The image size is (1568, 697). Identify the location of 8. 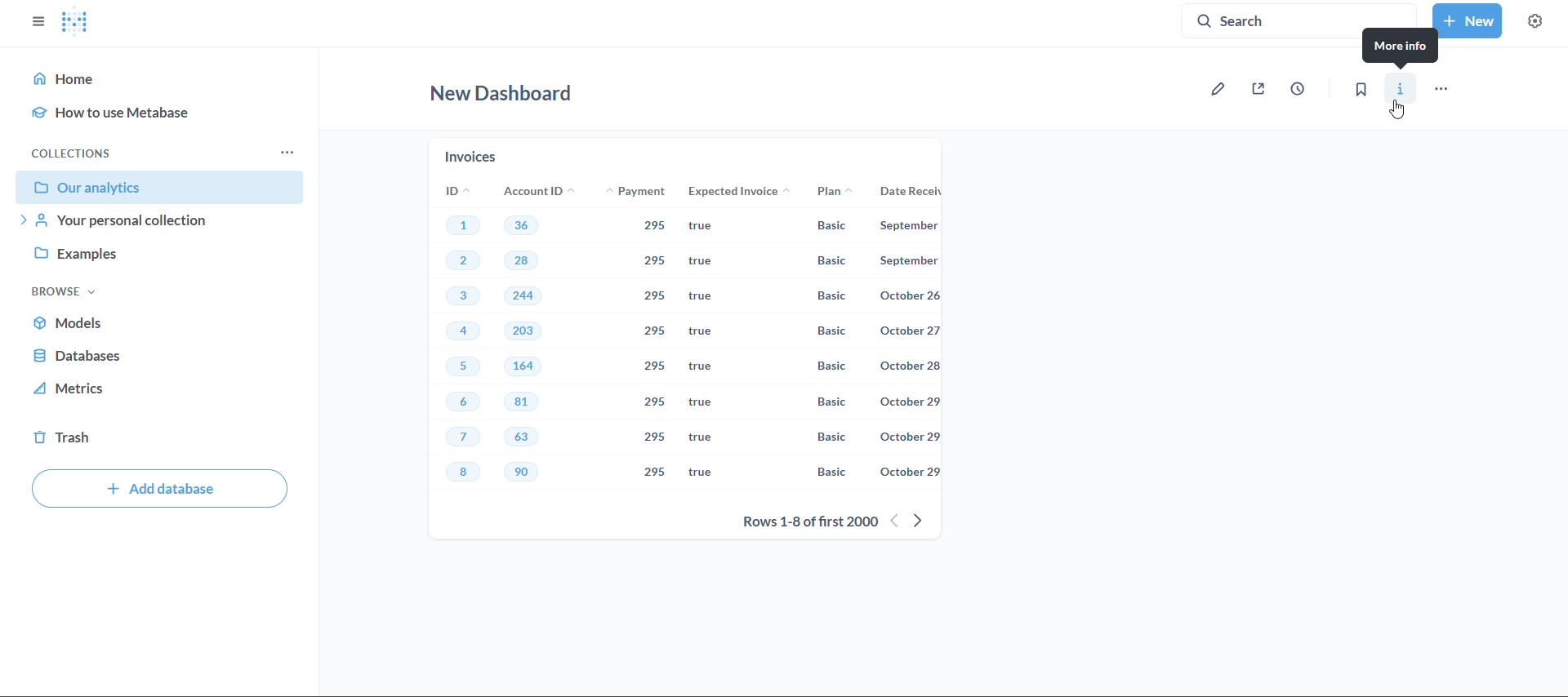
(468, 474).